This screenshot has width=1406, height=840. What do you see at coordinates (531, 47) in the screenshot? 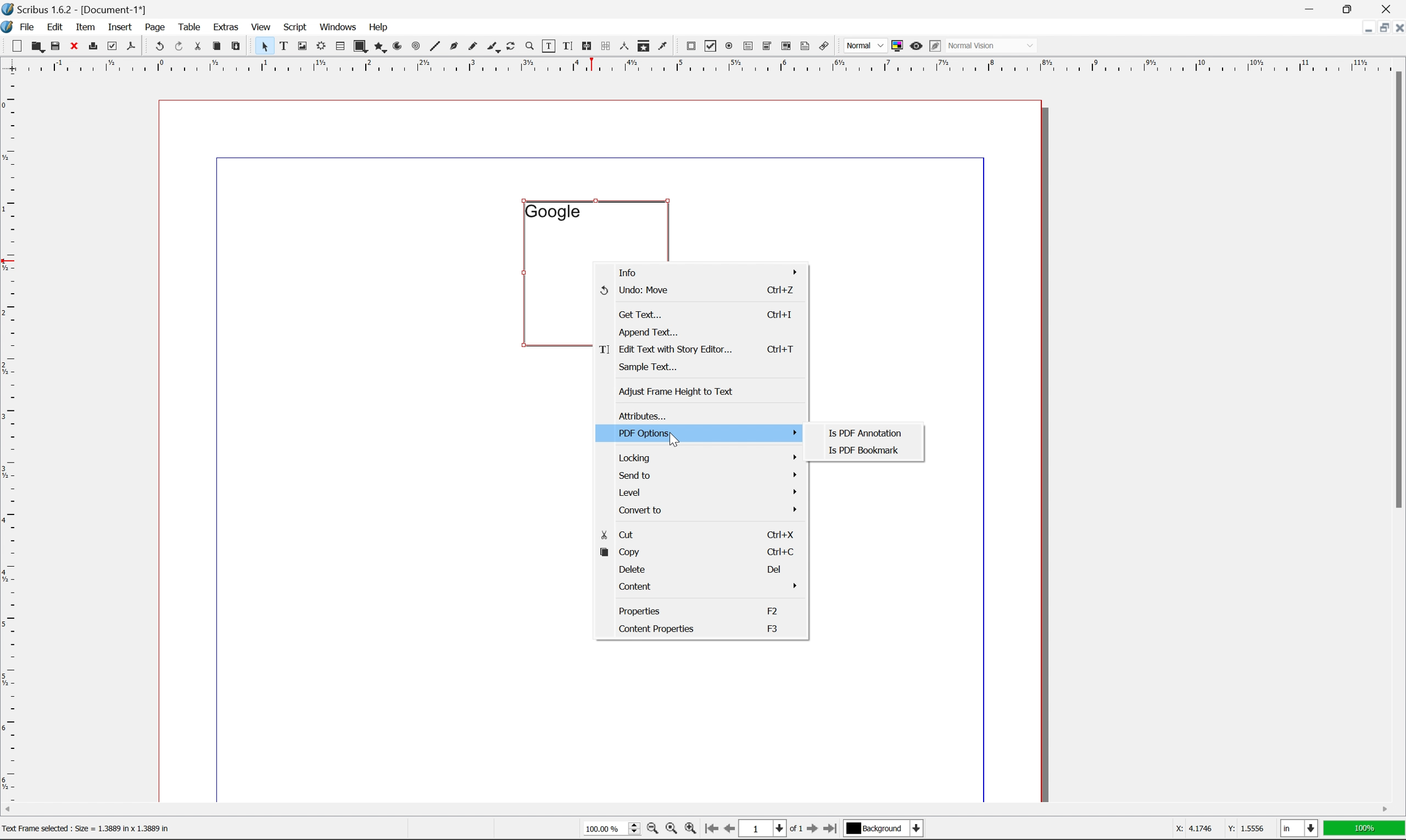
I see `zoom in or zoom out` at bounding box center [531, 47].